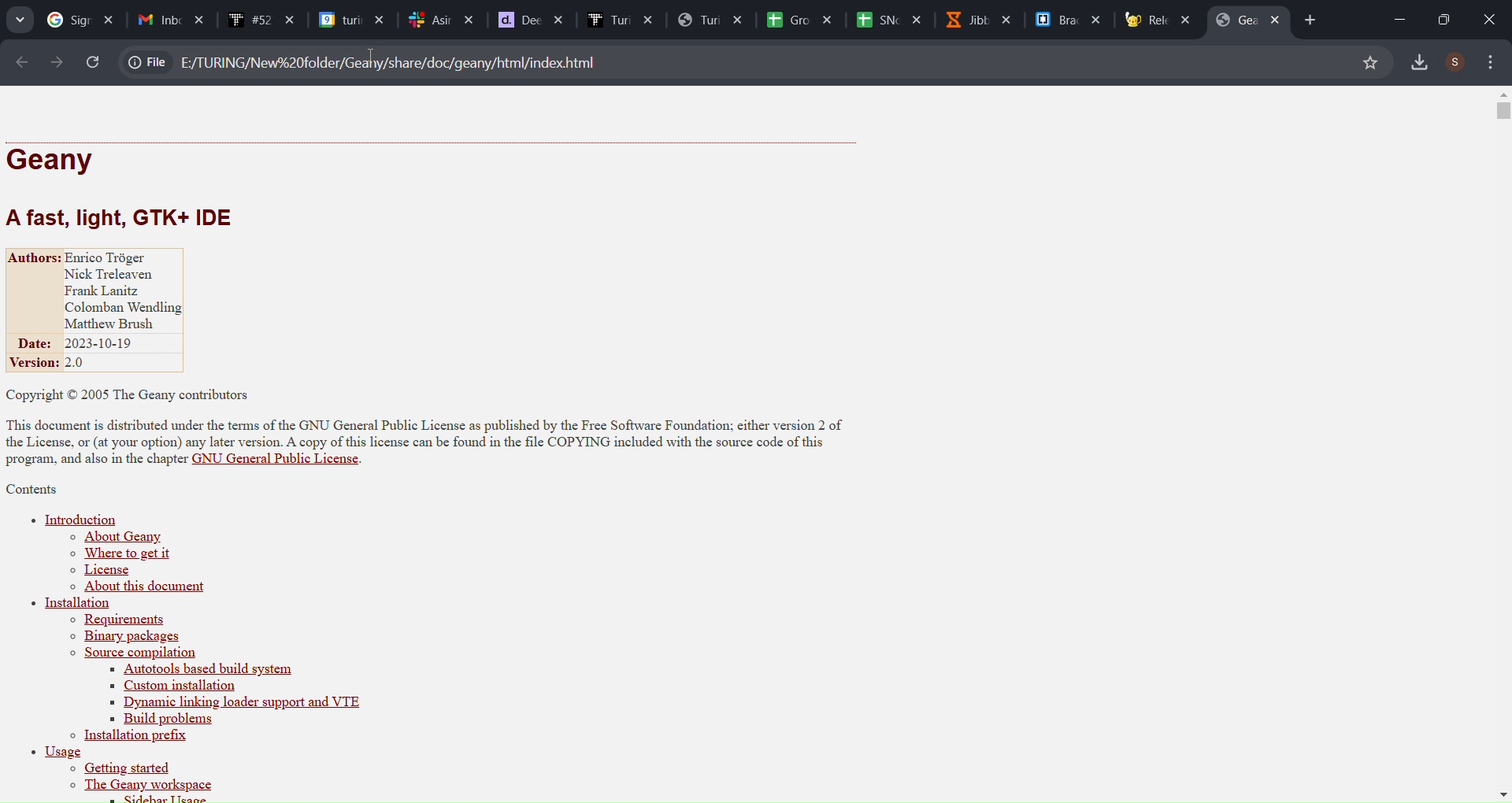 The height and width of the screenshot is (803, 1512). What do you see at coordinates (157, 719) in the screenshot?
I see `build problems` at bounding box center [157, 719].